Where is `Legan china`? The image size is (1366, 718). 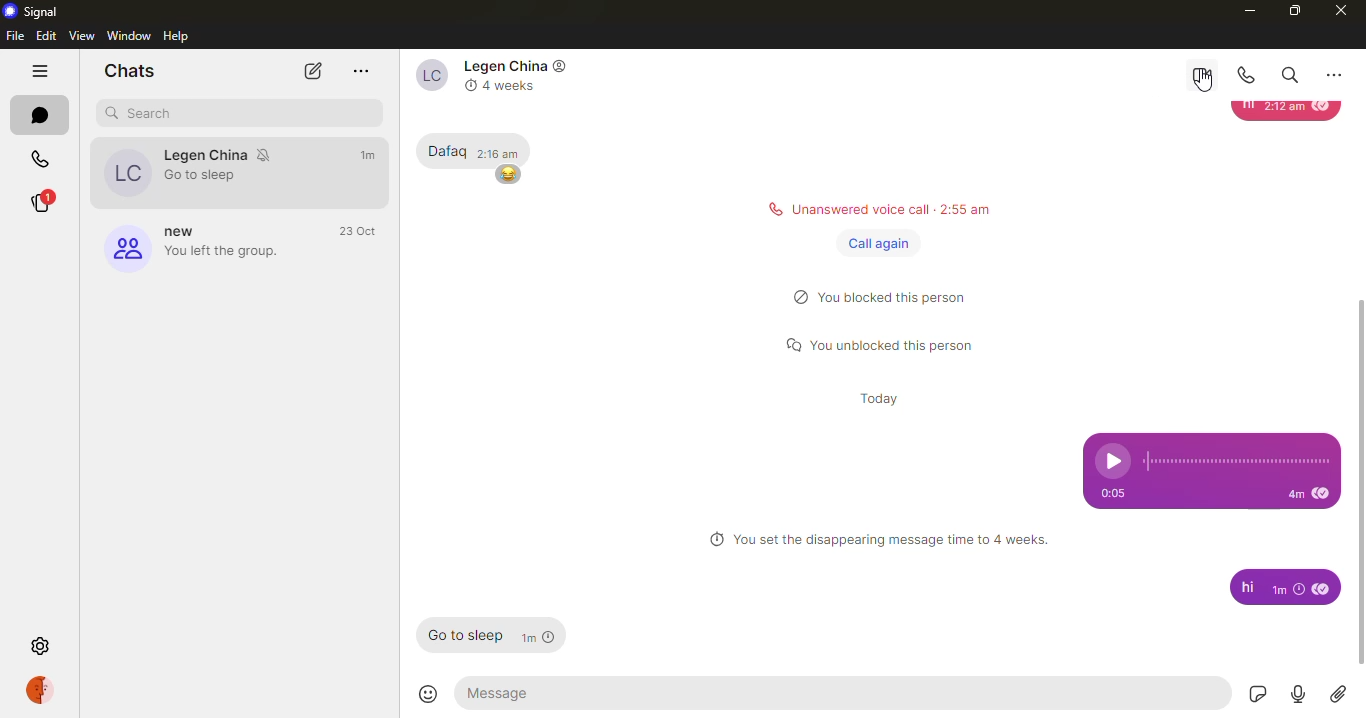 Legan china is located at coordinates (204, 155).